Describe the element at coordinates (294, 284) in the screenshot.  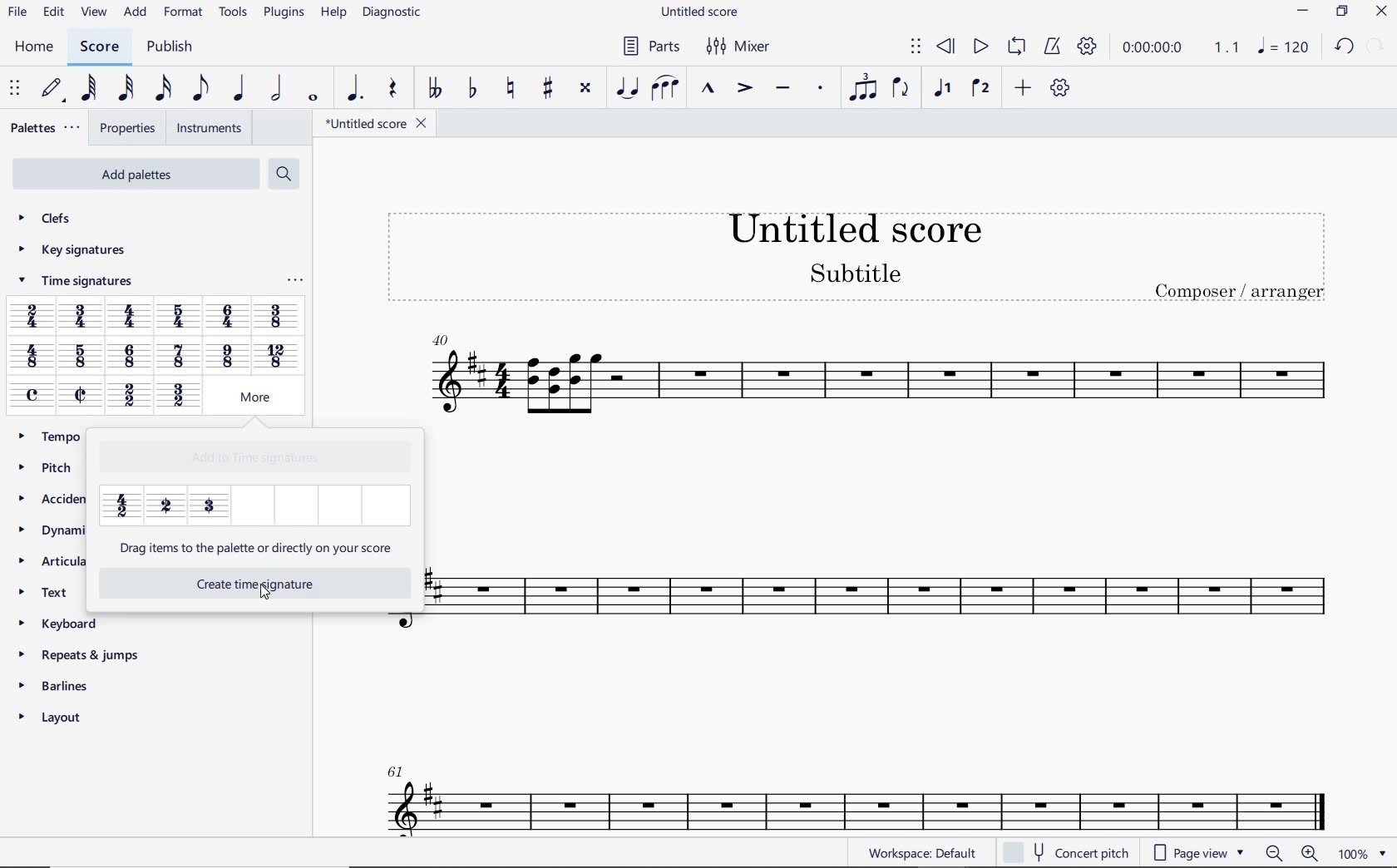
I see `Palette Properties` at that location.